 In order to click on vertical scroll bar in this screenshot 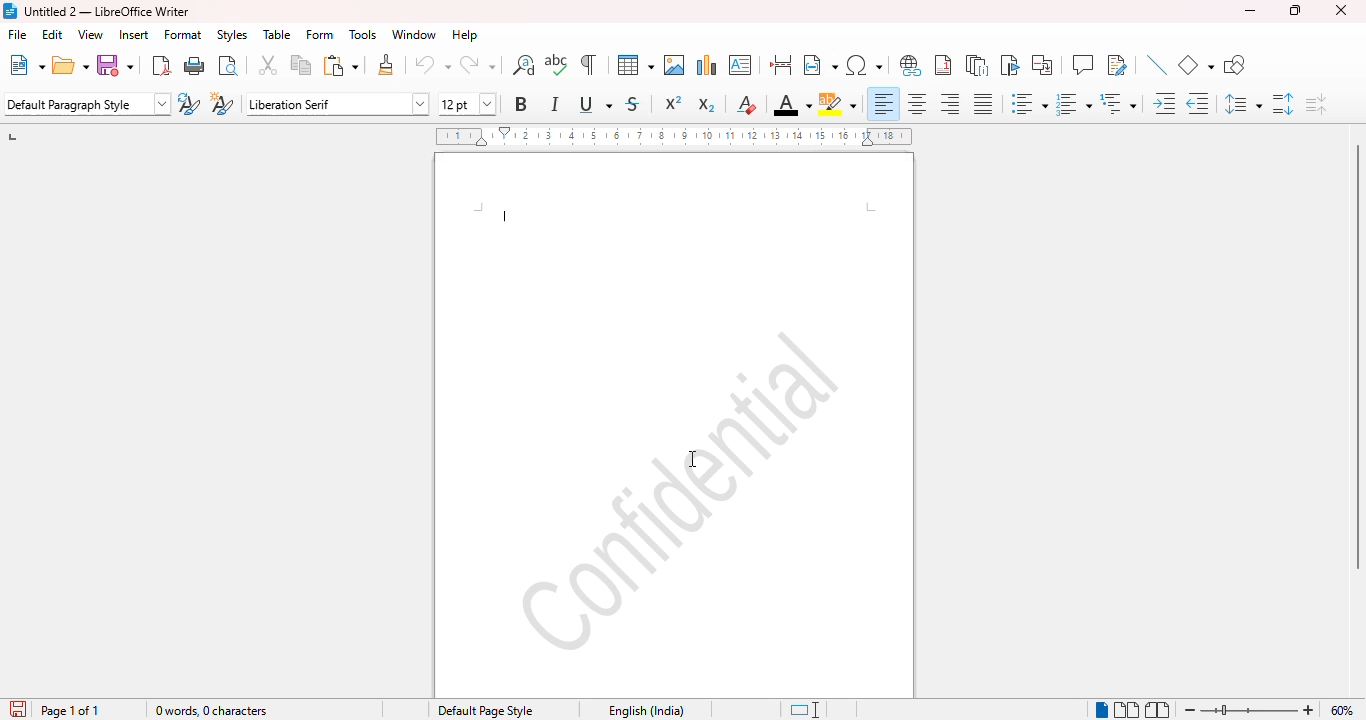, I will do `click(1357, 357)`.